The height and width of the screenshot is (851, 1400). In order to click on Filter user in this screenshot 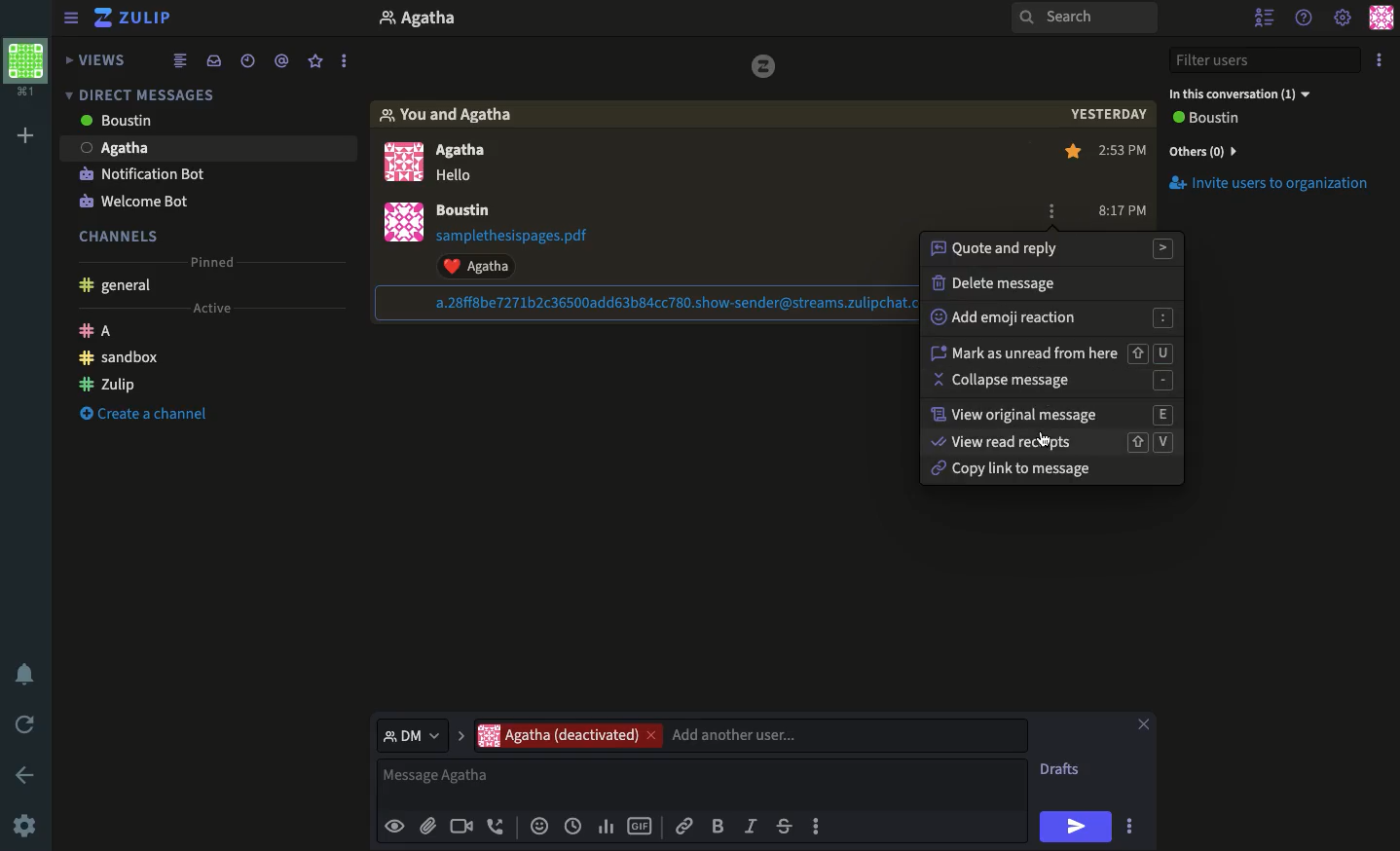, I will do `click(1269, 60)`.